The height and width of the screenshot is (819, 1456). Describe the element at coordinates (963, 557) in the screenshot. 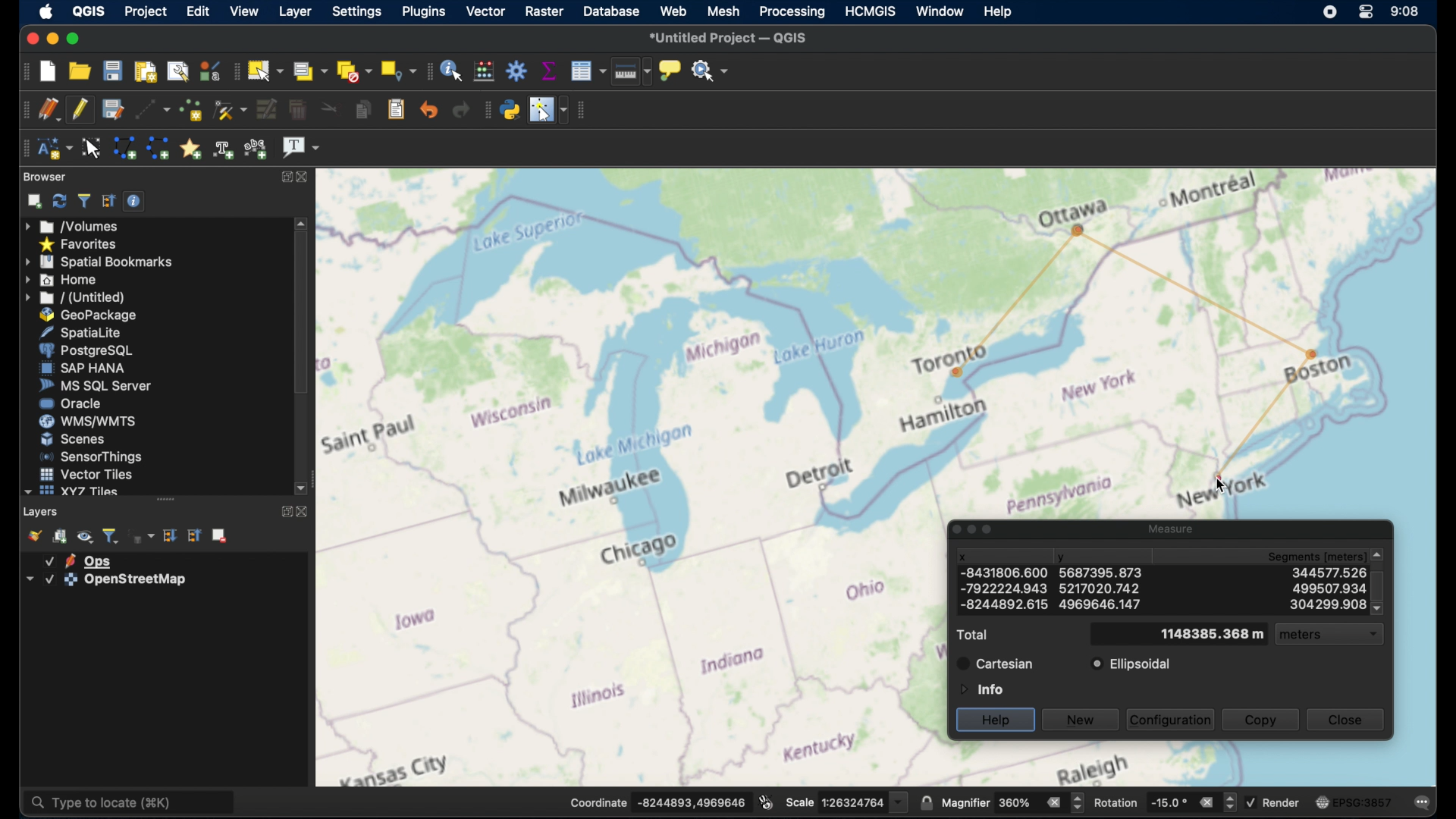

I see `x` at that location.